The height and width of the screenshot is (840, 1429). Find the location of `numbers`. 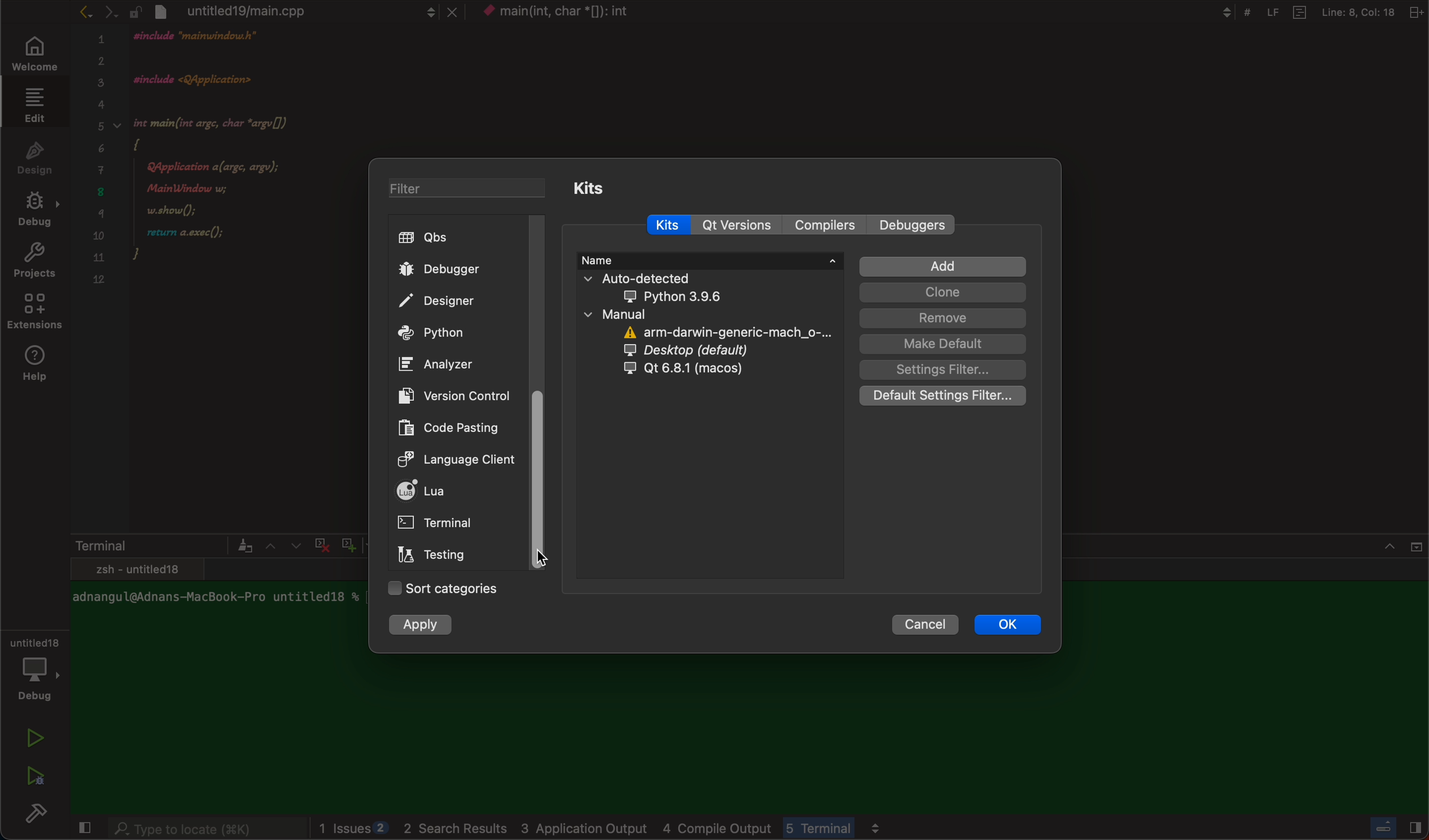

numbers is located at coordinates (100, 166).